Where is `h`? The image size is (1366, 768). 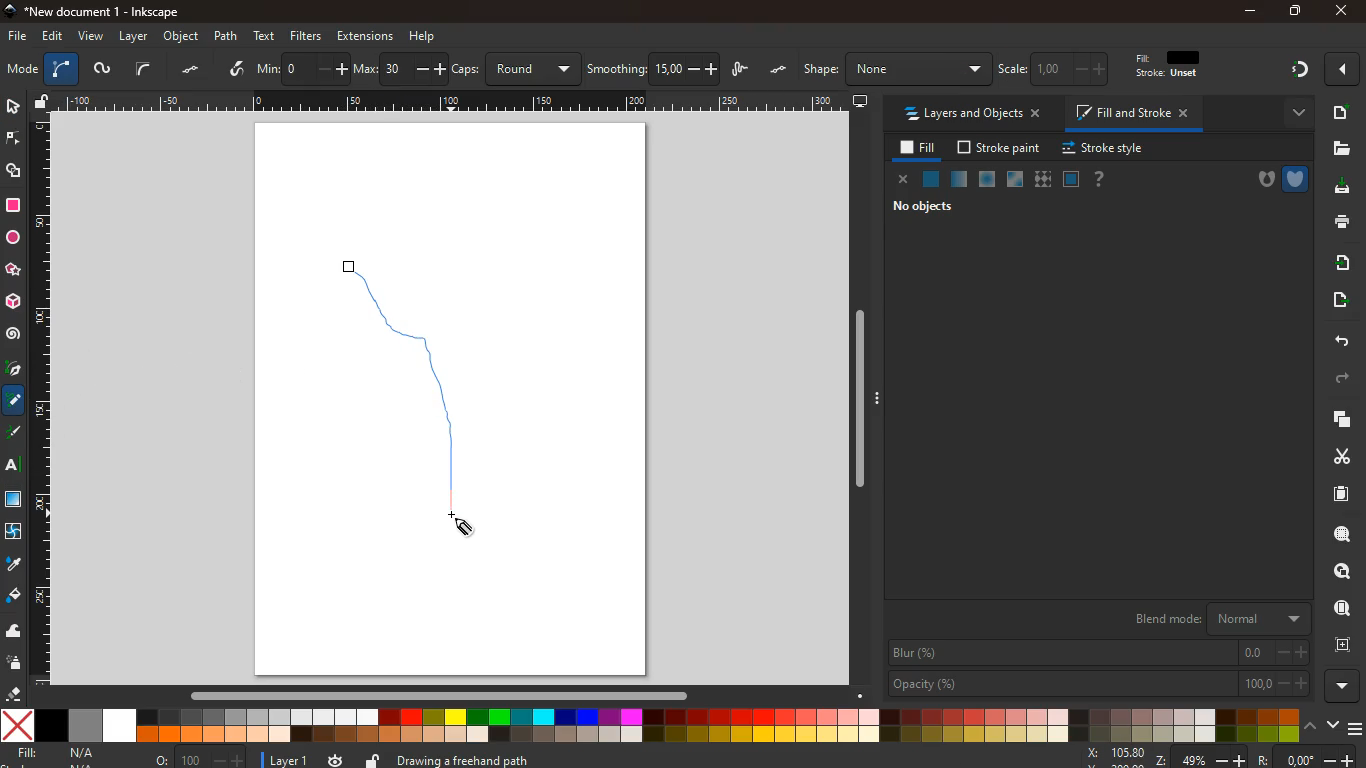
h is located at coordinates (895, 69).